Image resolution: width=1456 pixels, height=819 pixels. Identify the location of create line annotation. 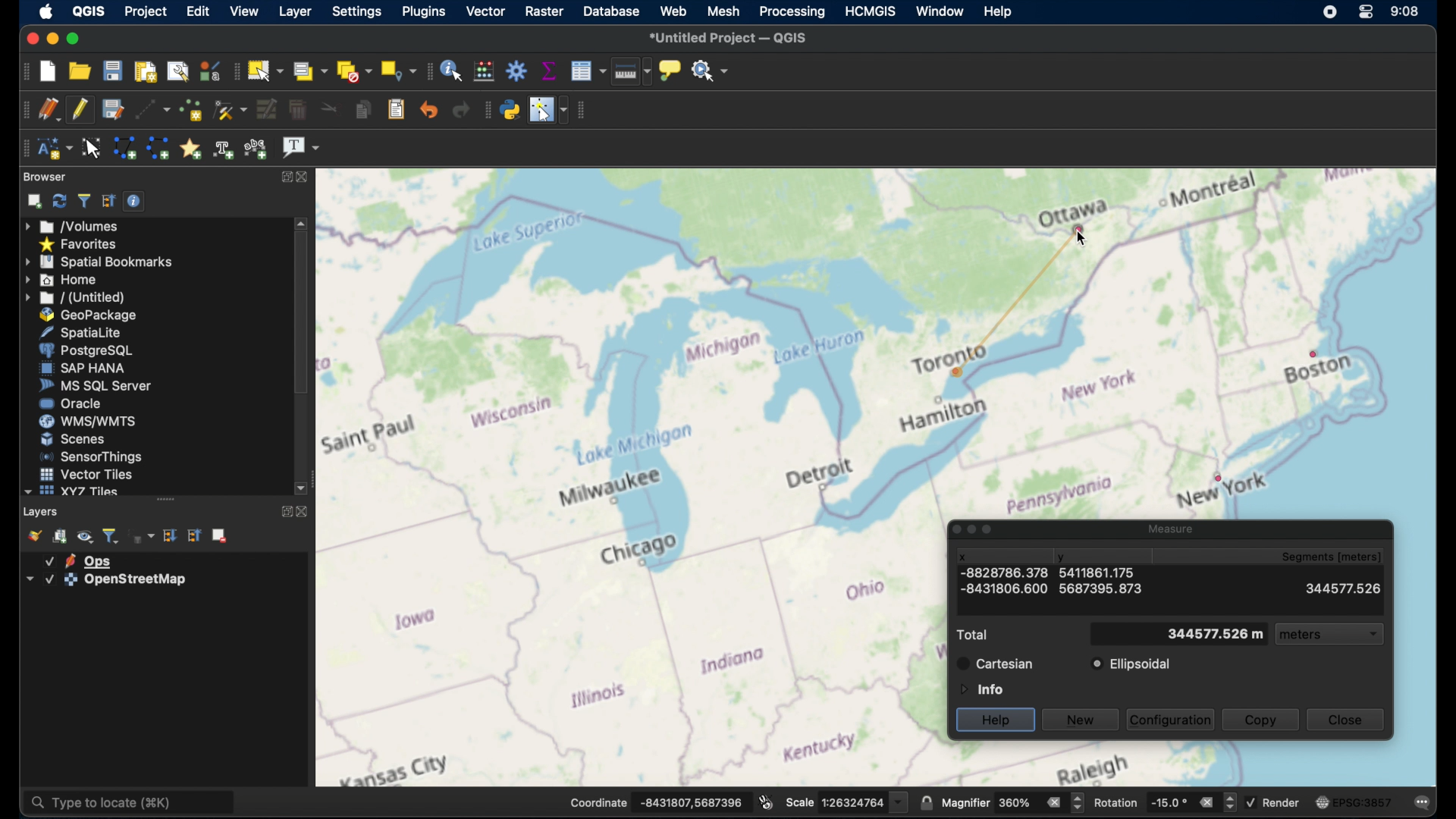
(158, 148).